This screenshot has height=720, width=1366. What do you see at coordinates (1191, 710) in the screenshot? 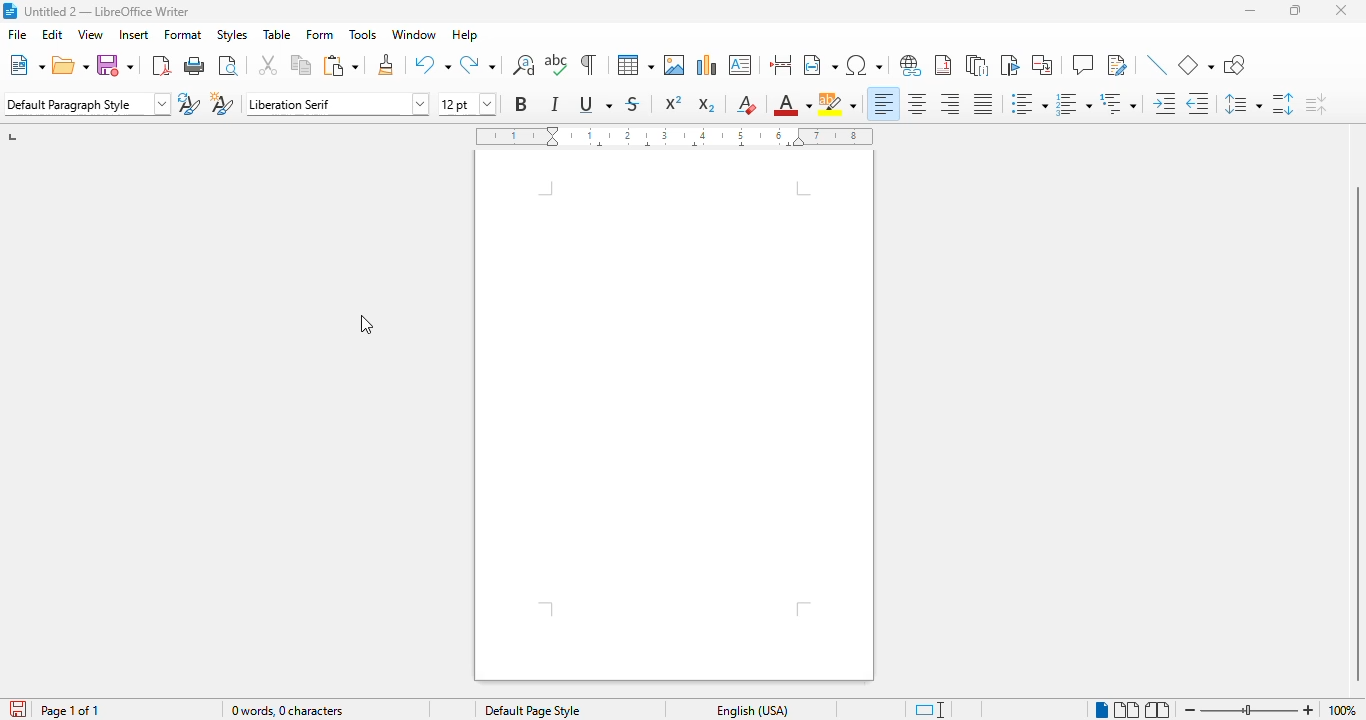
I see `zoom out` at bounding box center [1191, 710].